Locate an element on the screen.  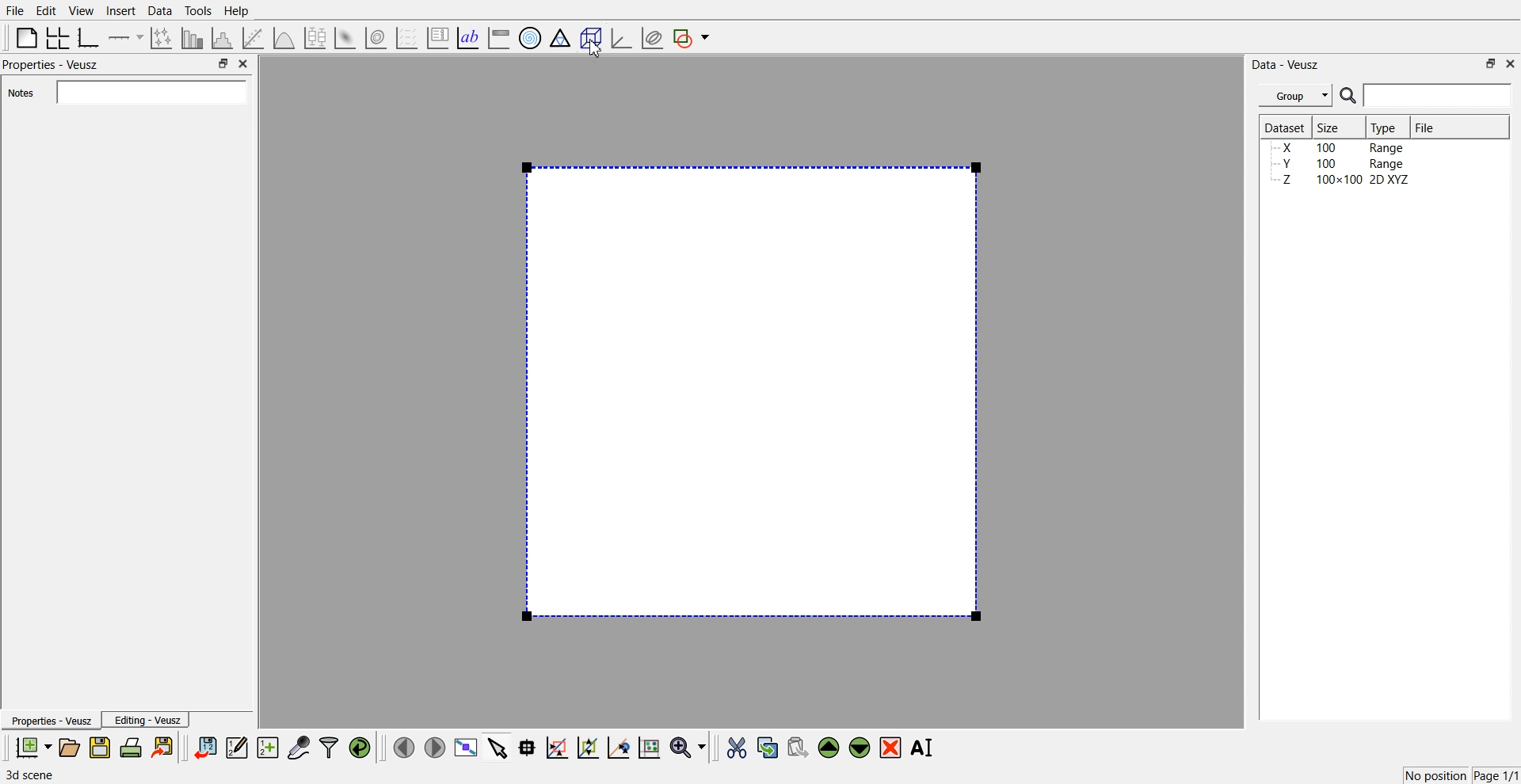
3D Volume is located at coordinates (375, 38).